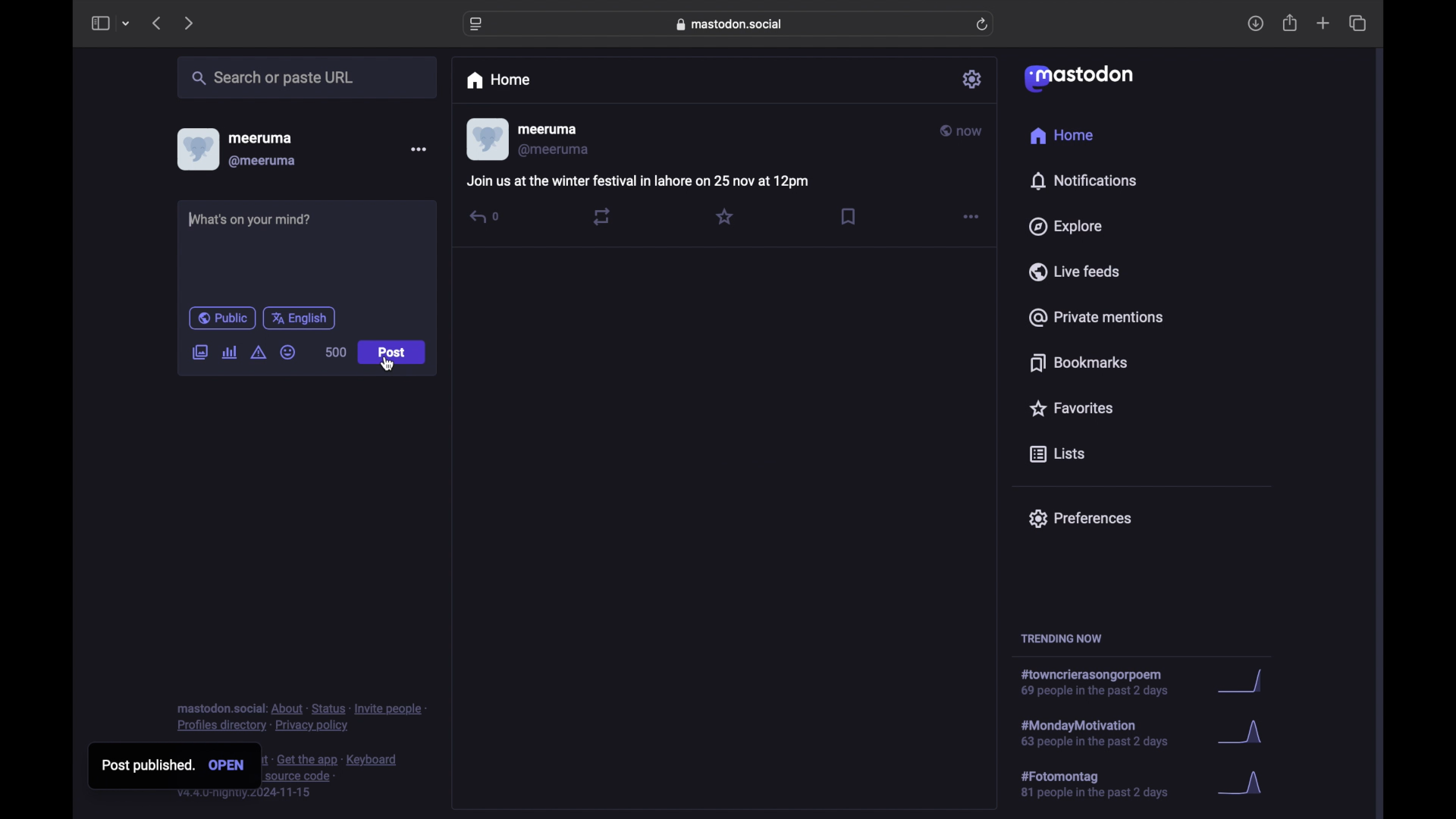 This screenshot has width=1456, height=819. Describe the element at coordinates (1064, 227) in the screenshot. I see `explore` at that location.